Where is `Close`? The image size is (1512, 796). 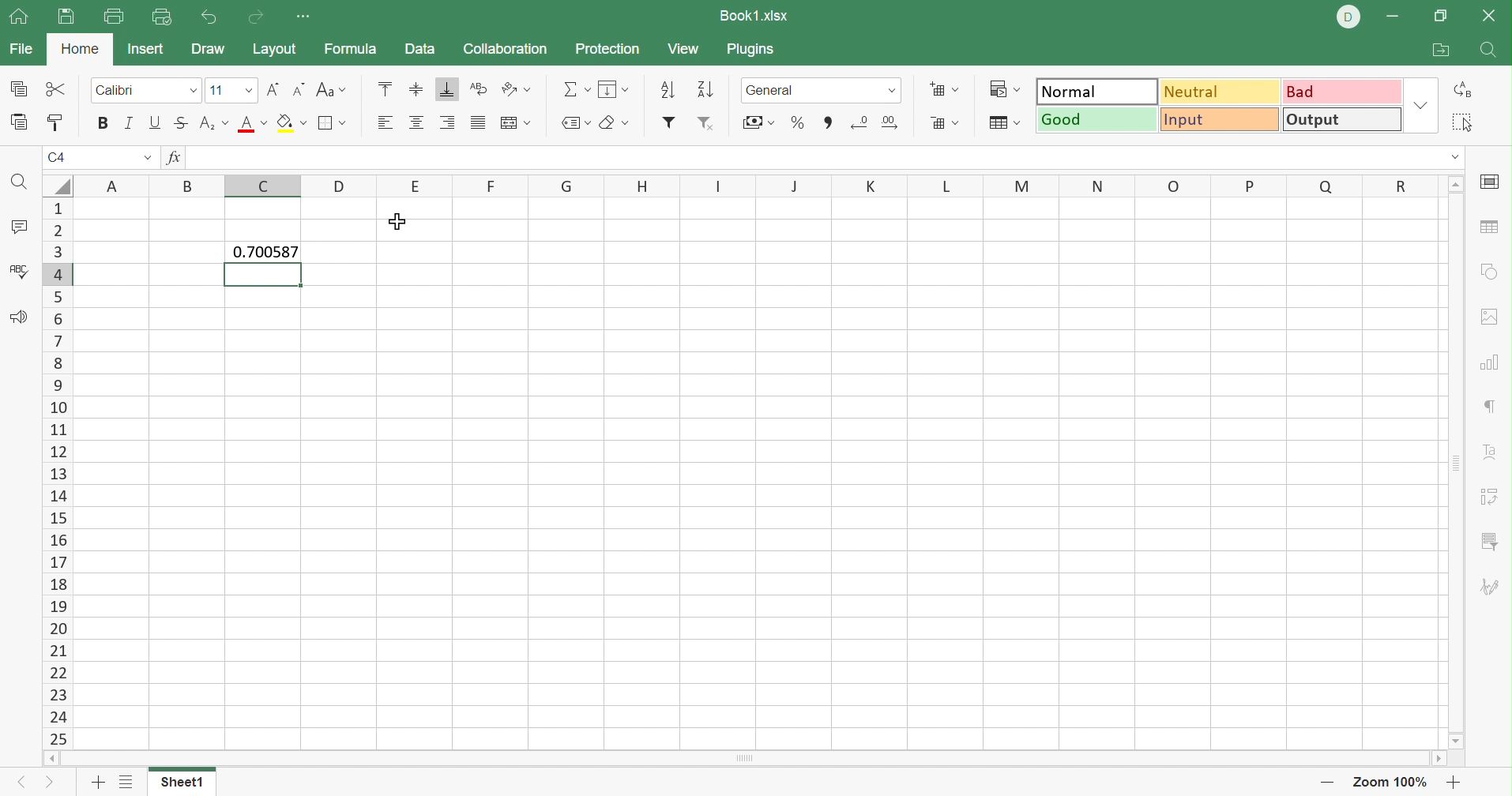
Close is located at coordinates (1488, 15).